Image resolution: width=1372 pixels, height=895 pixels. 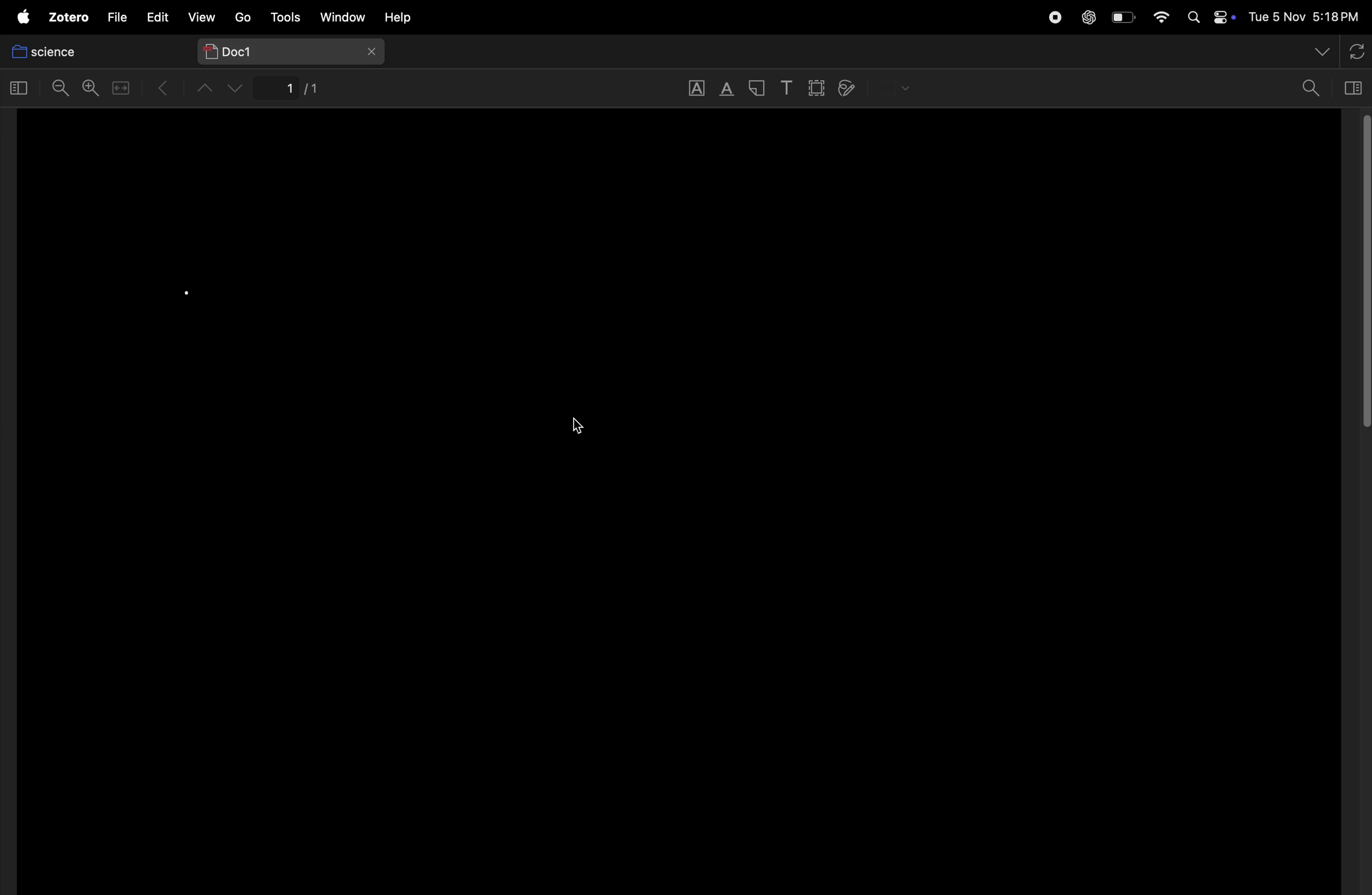 What do you see at coordinates (853, 90) in the screenshot?
I see `draw` at bounding box center [853, 90].